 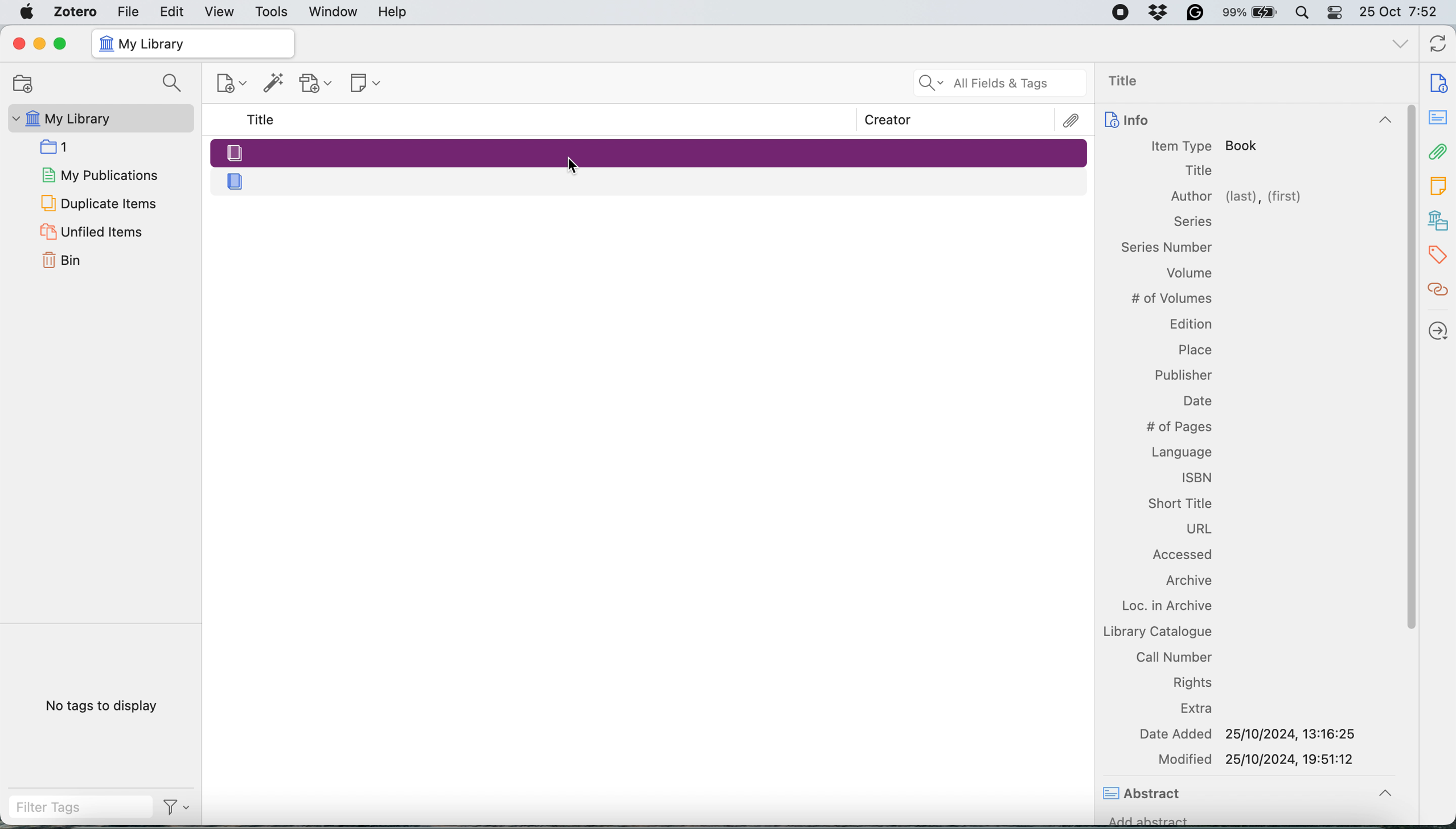 I want to click on Zotero, so click(x=76, y=11).